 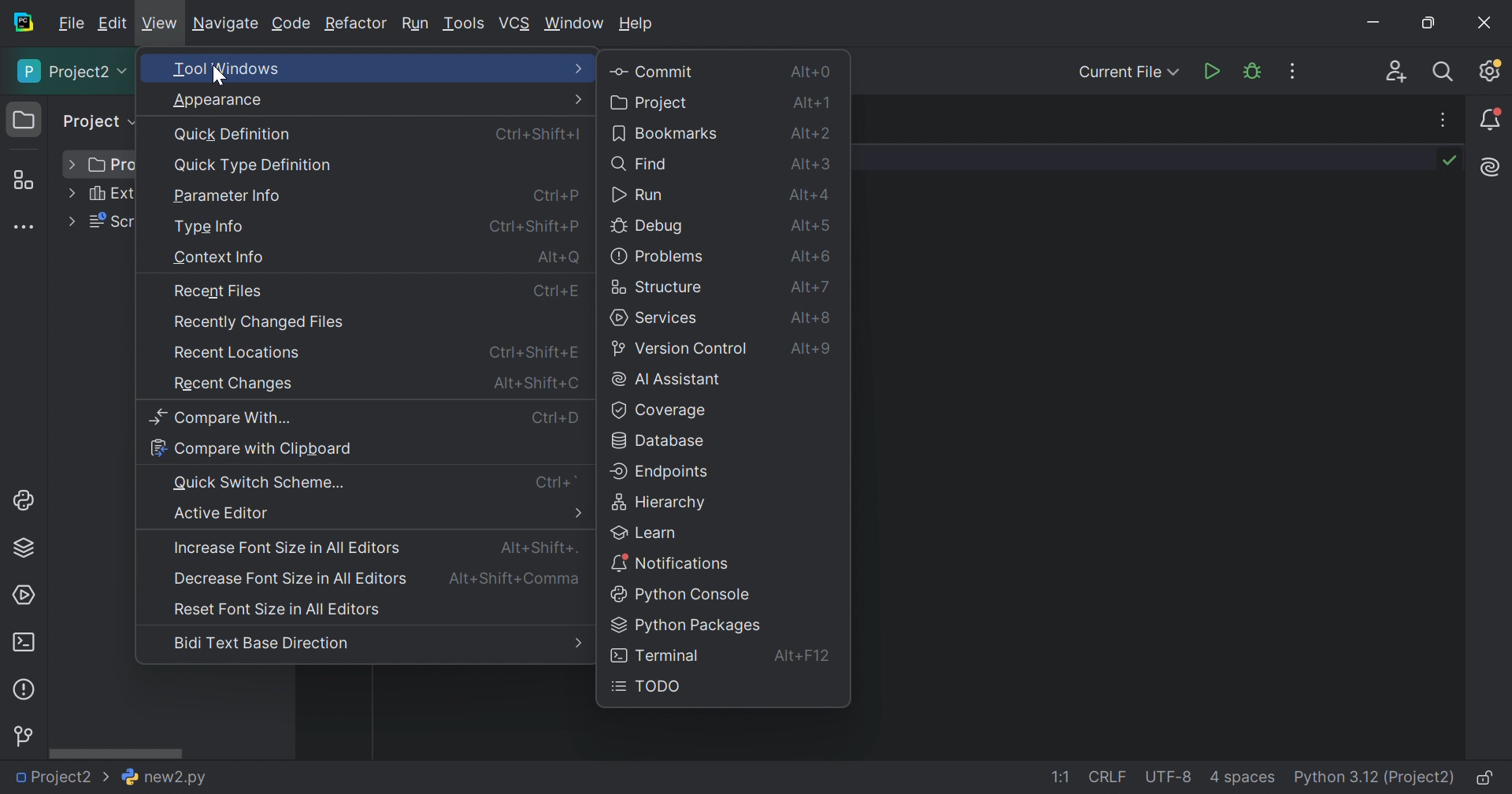 What do you see at coordinates (810, 255) in the screenshot?
I see `Alt+6` at bounding box center [810, 255].